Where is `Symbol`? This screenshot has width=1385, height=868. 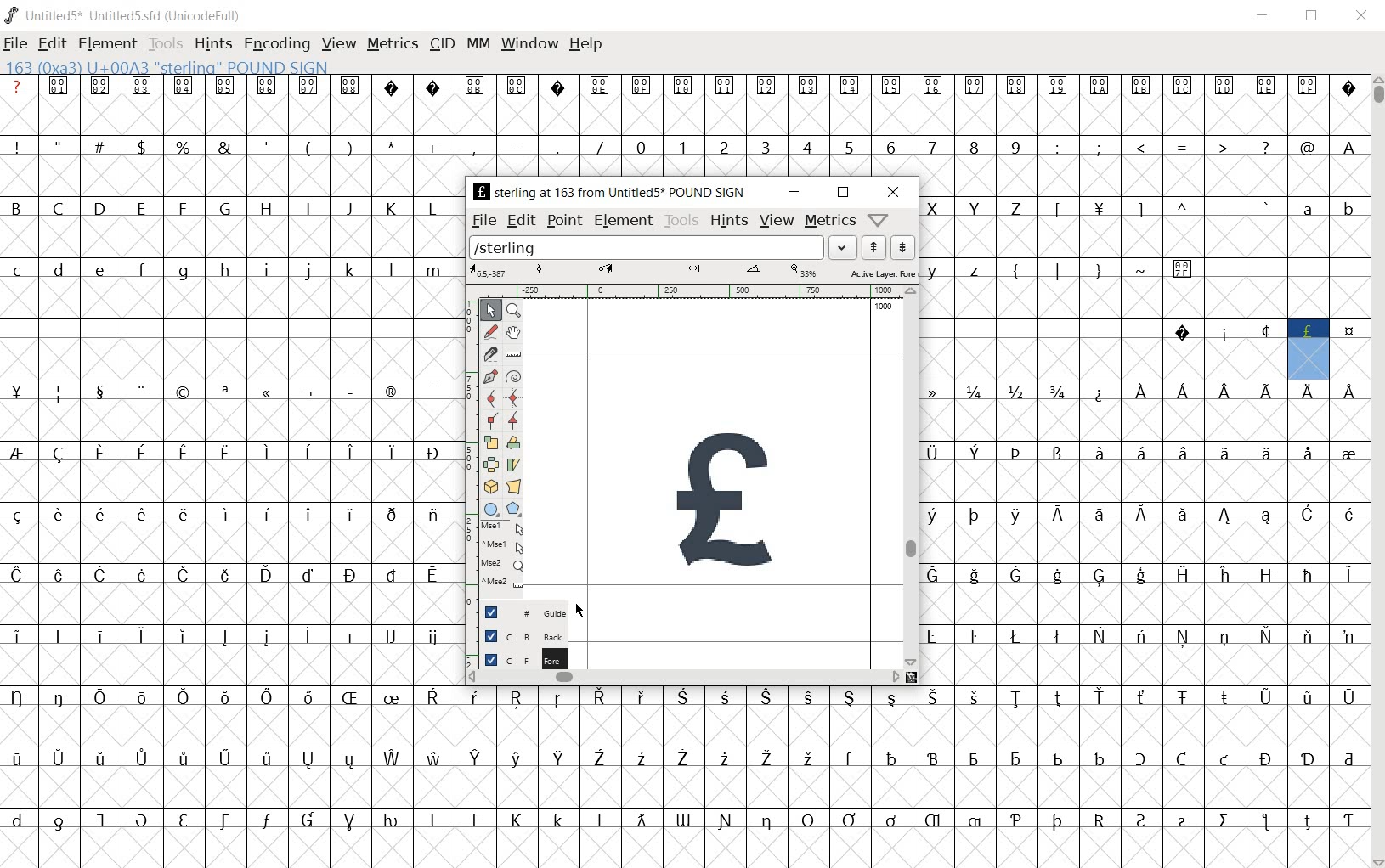
Symbol is located at coordinates (20, 820).